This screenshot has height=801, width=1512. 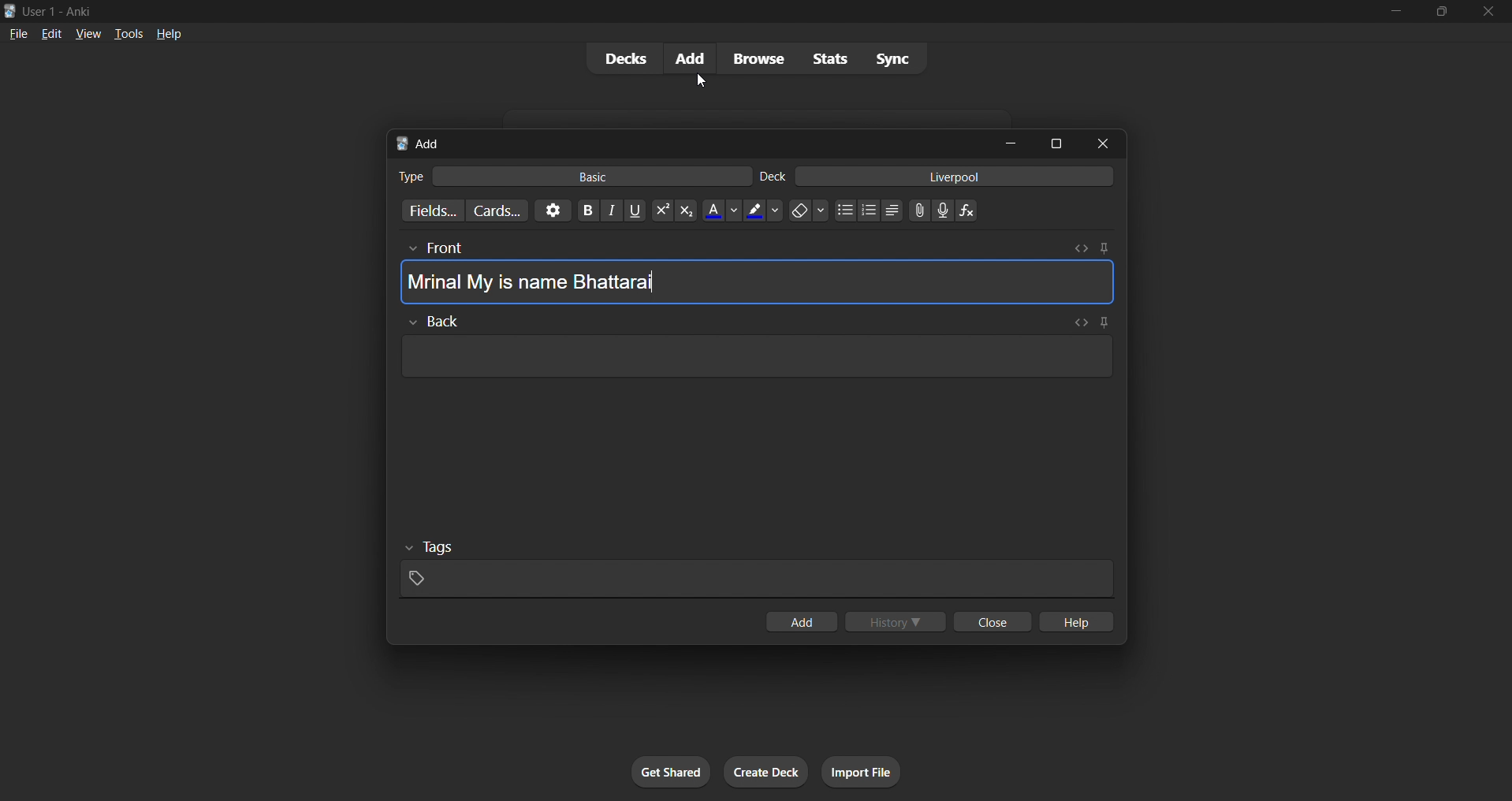 What do you see at coordinates (91, 32) in the screenshot?
I see `view` at bounding box center [91, 32].